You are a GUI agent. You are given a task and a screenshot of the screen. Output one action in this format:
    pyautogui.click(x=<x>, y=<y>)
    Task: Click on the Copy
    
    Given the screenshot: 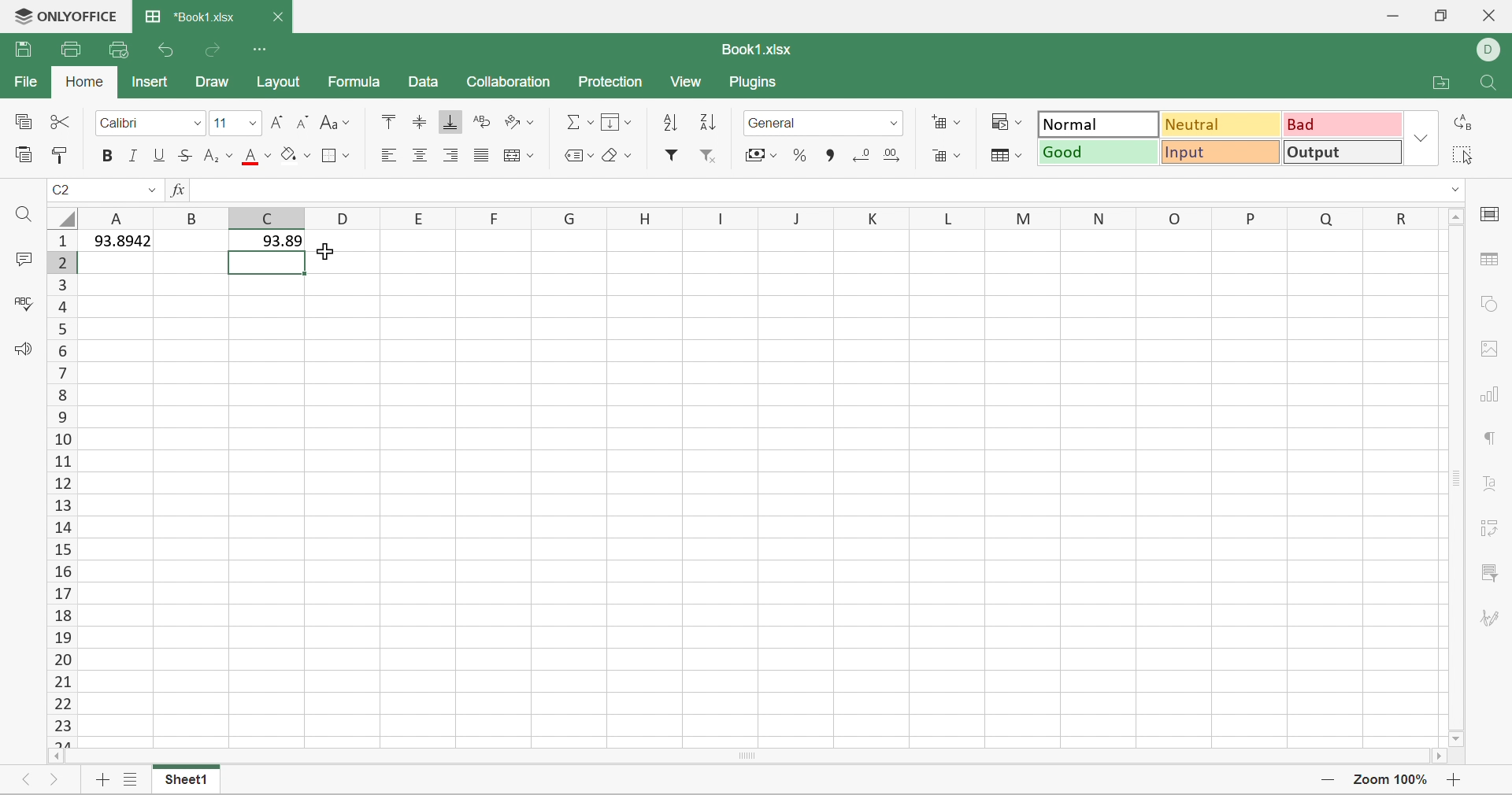 What is the action you would take?
    pyautogui.click(x=21, y=120)
    